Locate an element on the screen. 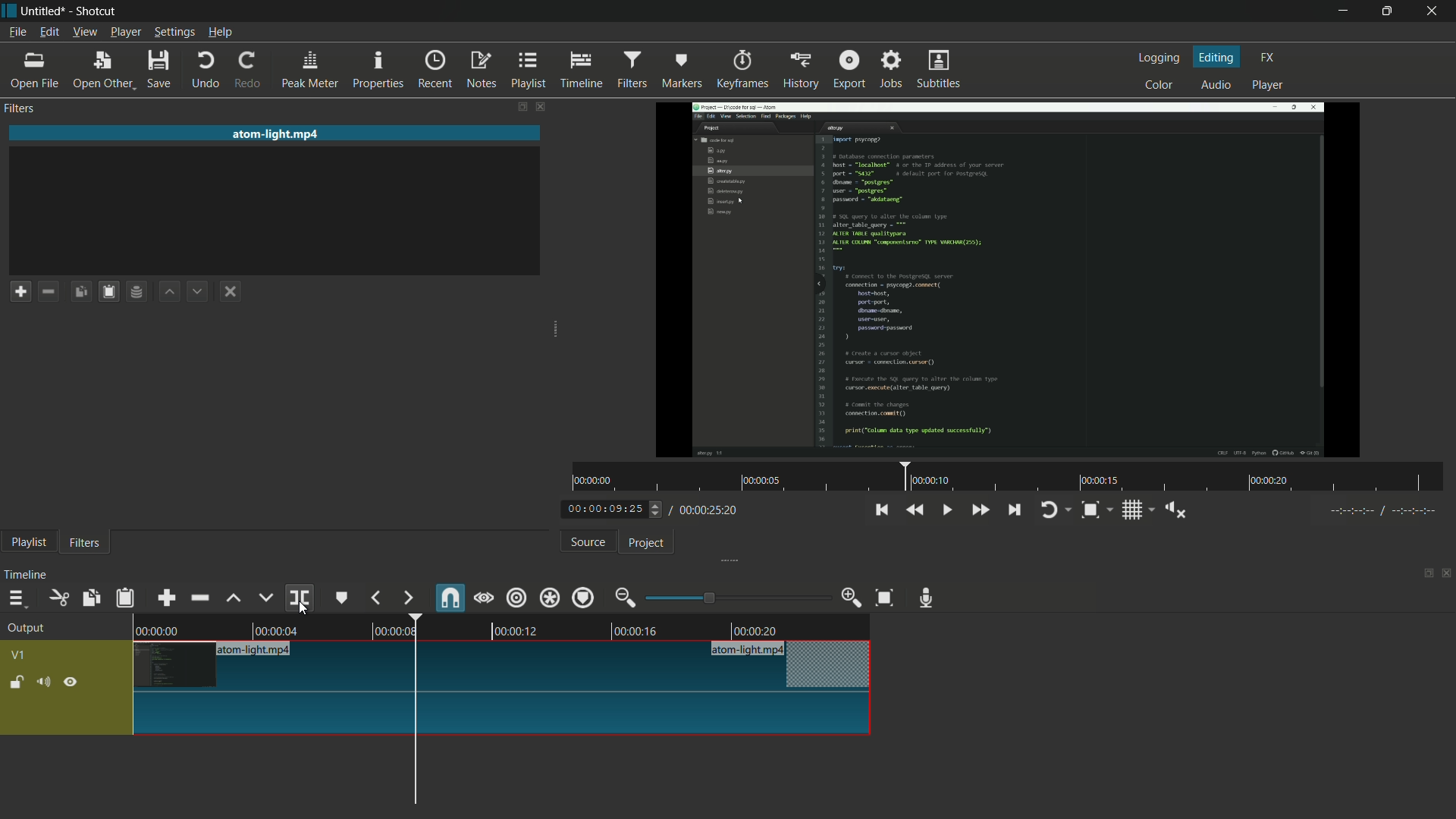   is located at coordinates (504, 715).